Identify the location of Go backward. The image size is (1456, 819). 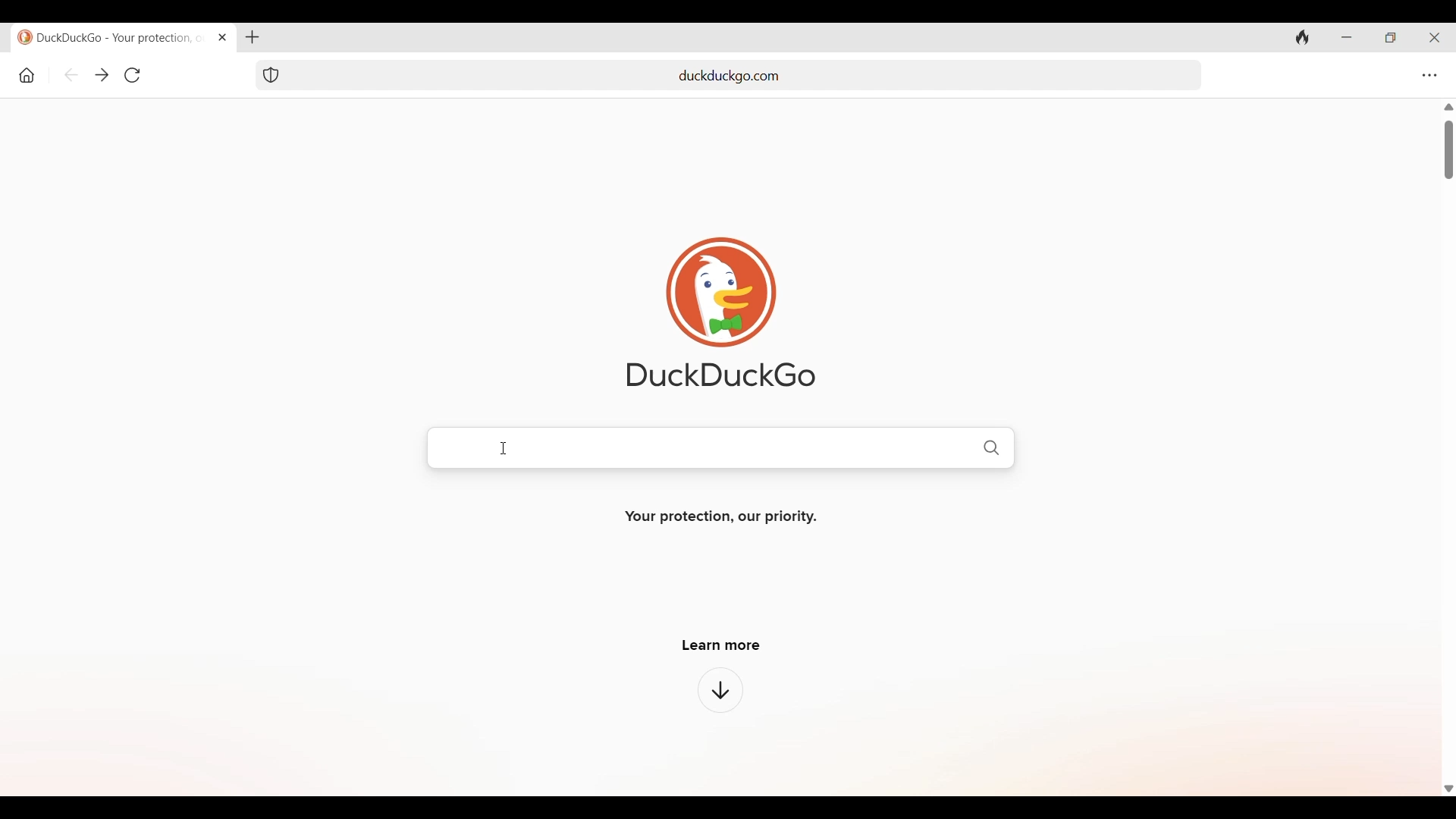
(101, 74).